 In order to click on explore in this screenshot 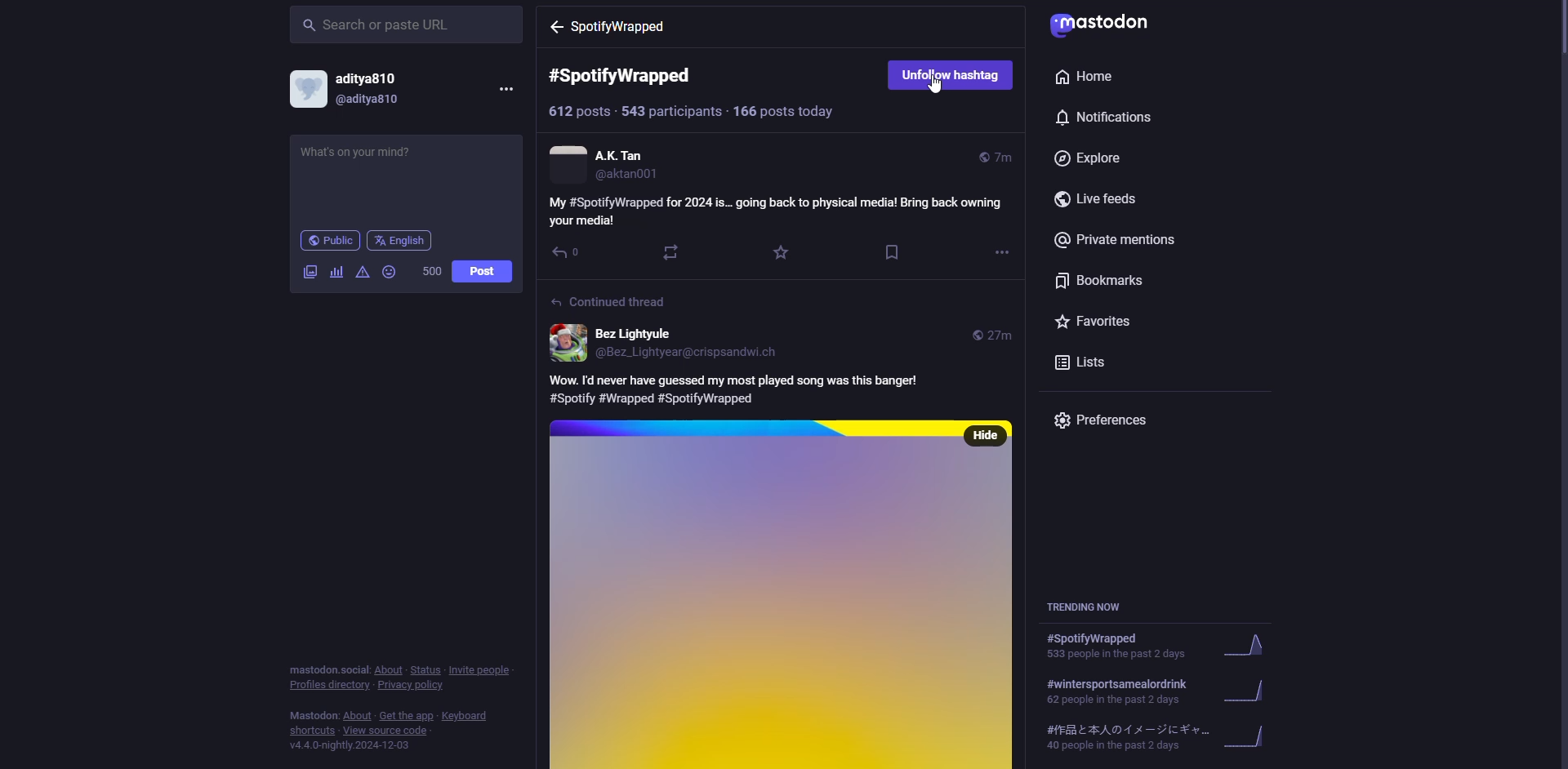, I will do `click(1094, 159)`.